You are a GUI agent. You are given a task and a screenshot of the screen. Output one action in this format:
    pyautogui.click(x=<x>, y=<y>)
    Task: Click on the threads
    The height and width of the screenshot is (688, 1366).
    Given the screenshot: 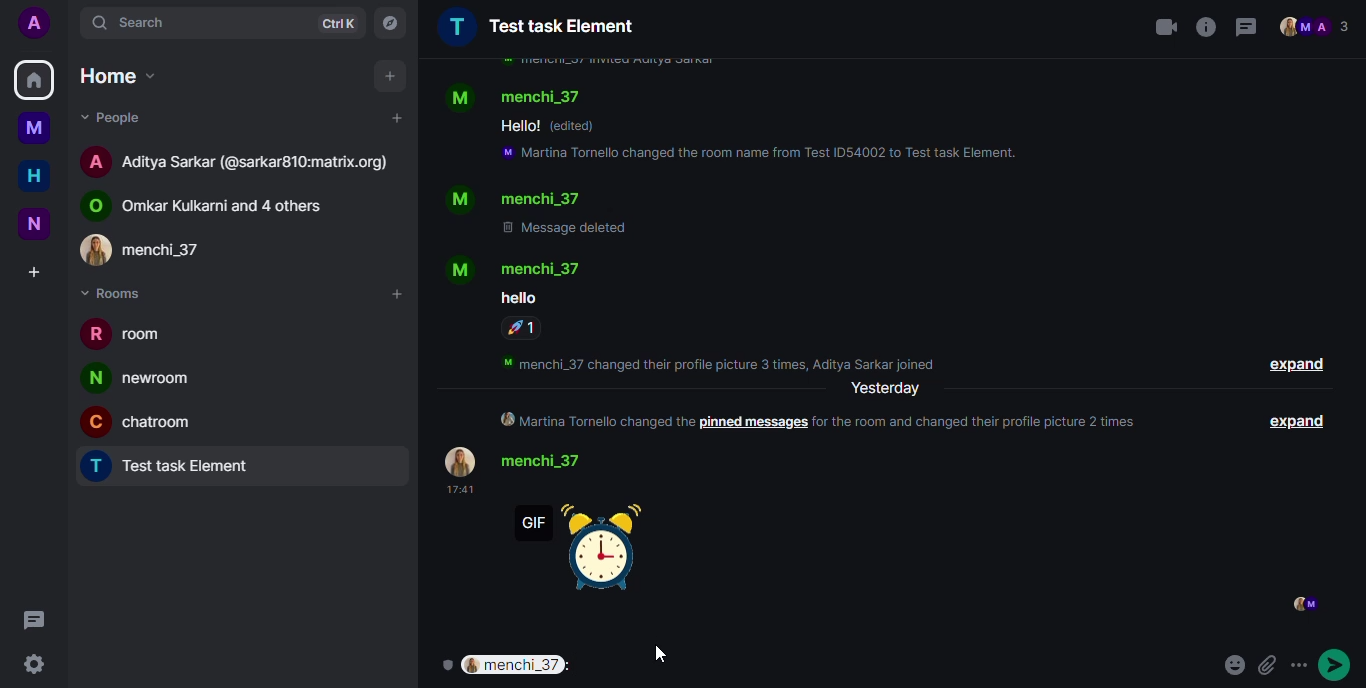 What is the action you would take?
    pyautogui.click(x=1246, y=27)
    